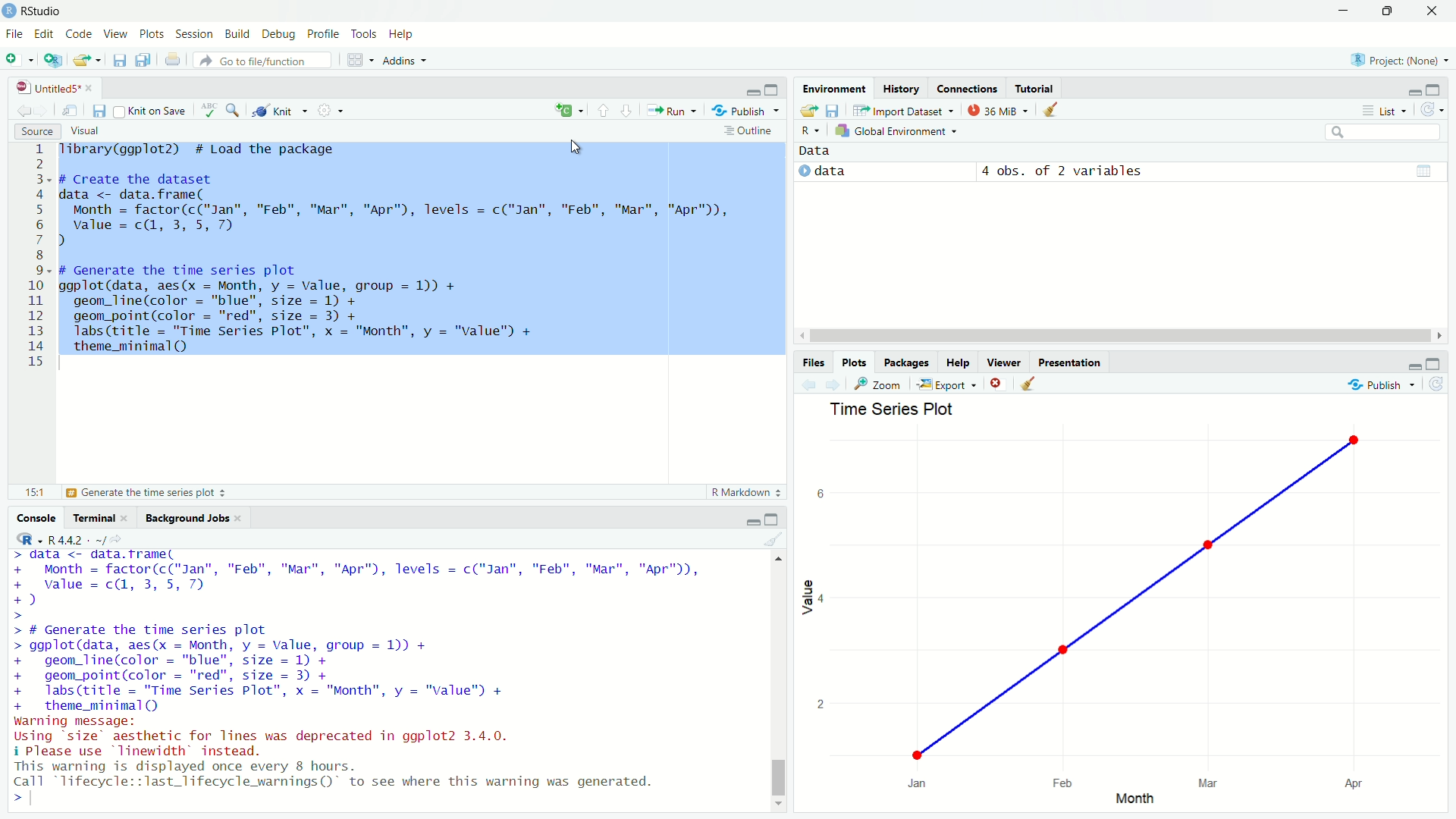  What do you see at coordinates (1030, 385) in the screenshot?
I see `clear all plots` at bounding box center [1030, 385].